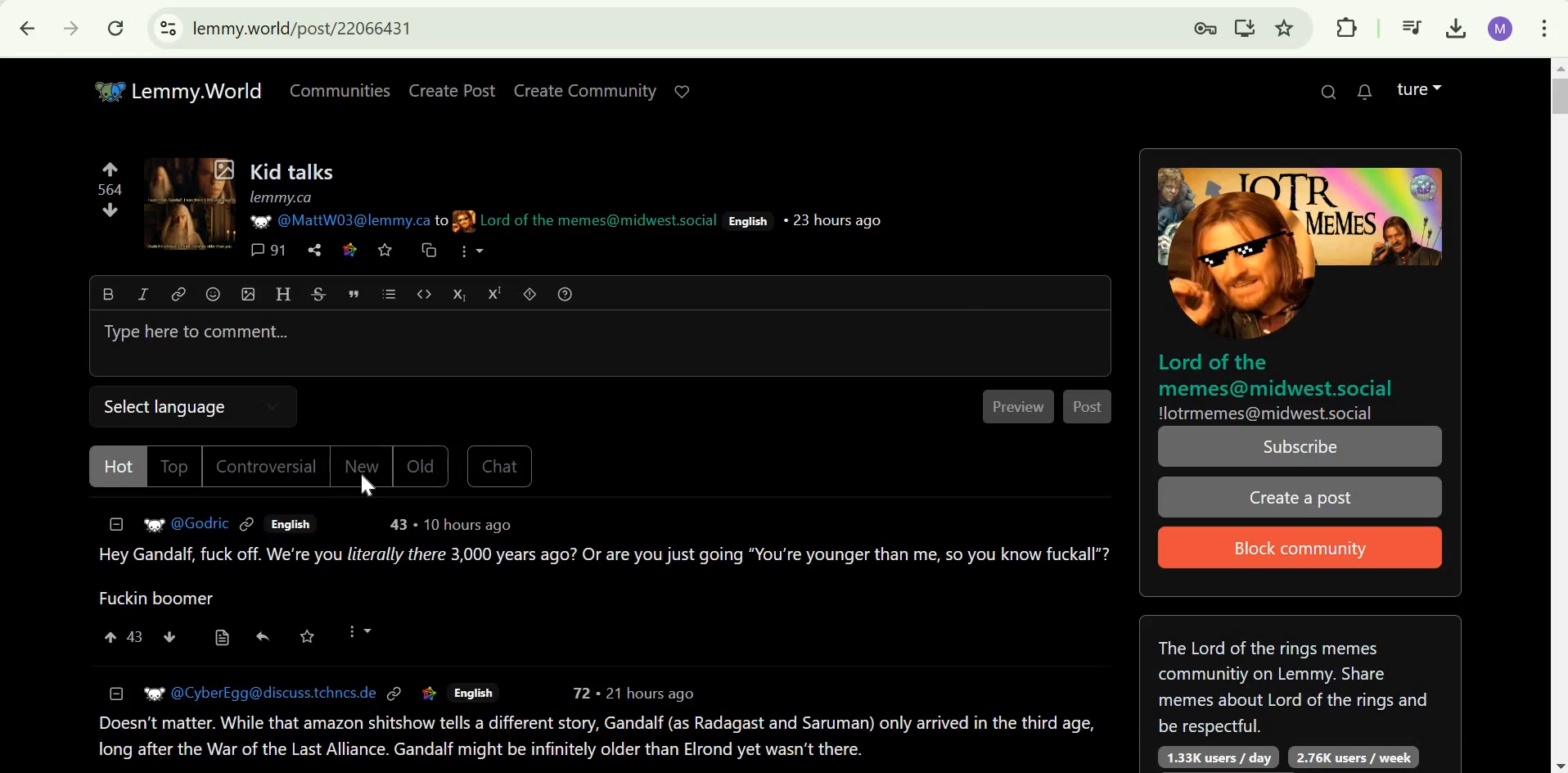  I want to click on Preview, so click(1019, 408).